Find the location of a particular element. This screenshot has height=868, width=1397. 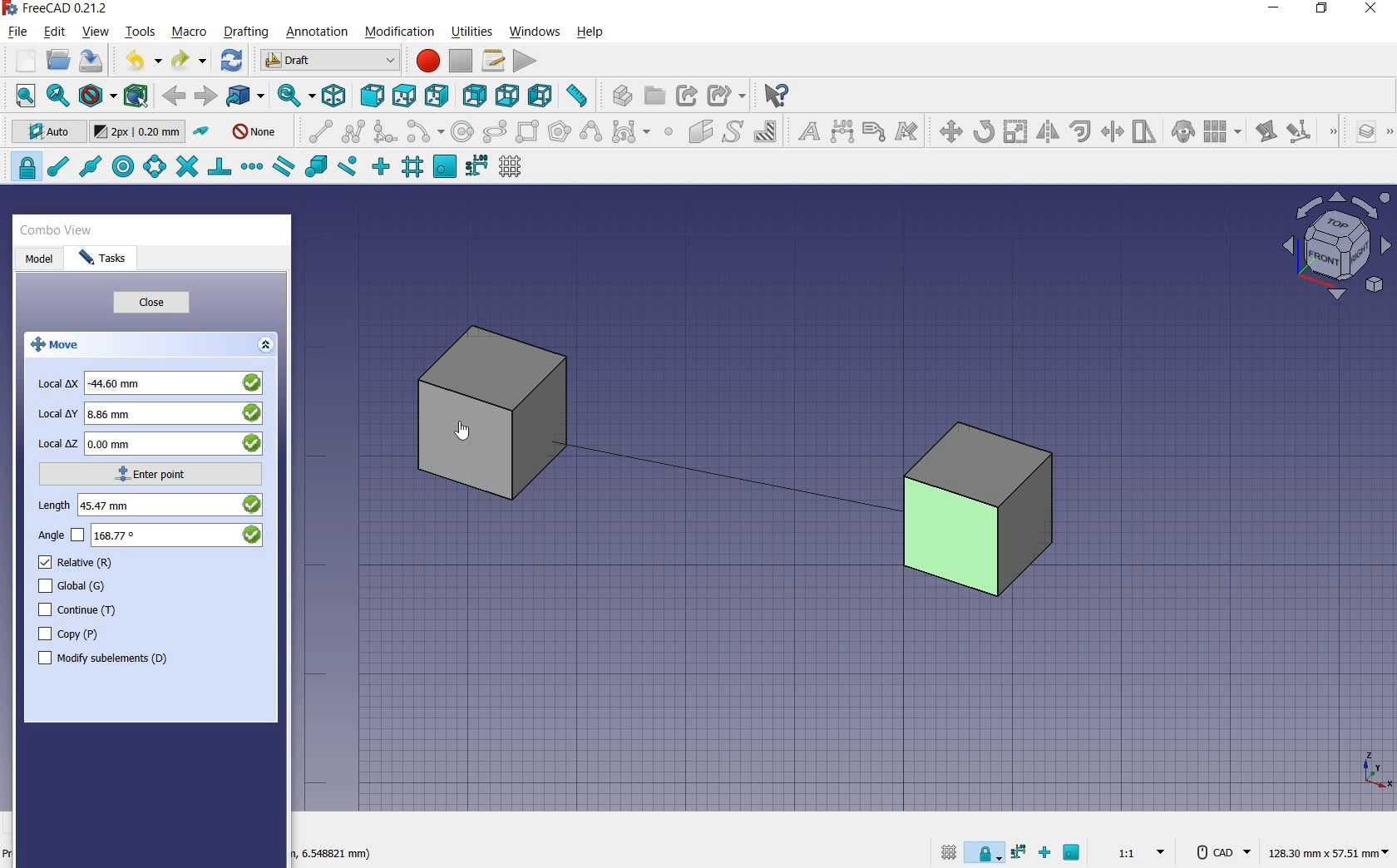

snap extension is located at coordinates (252, 167).